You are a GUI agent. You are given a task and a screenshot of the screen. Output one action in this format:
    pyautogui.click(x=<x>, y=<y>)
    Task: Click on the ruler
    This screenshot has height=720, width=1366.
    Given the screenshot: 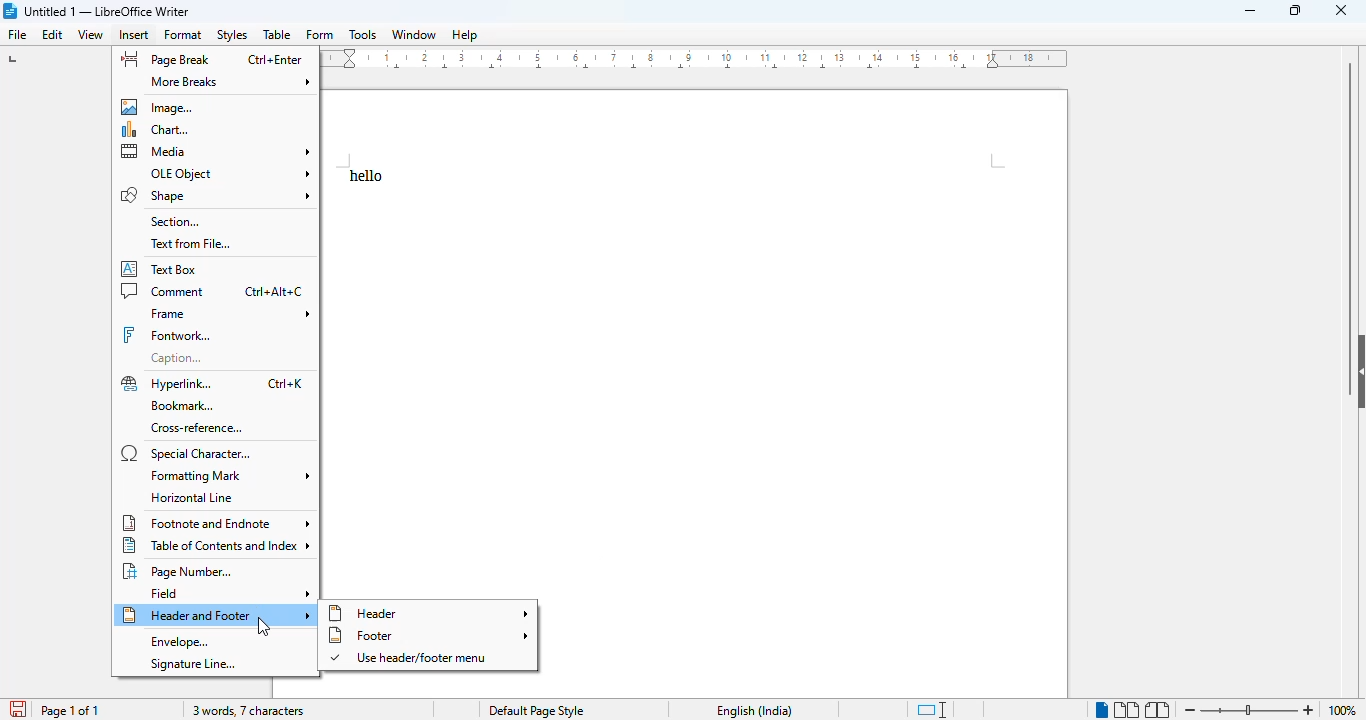 What is the action you would take?
    pyautogui.click(x=696, y=58)
    